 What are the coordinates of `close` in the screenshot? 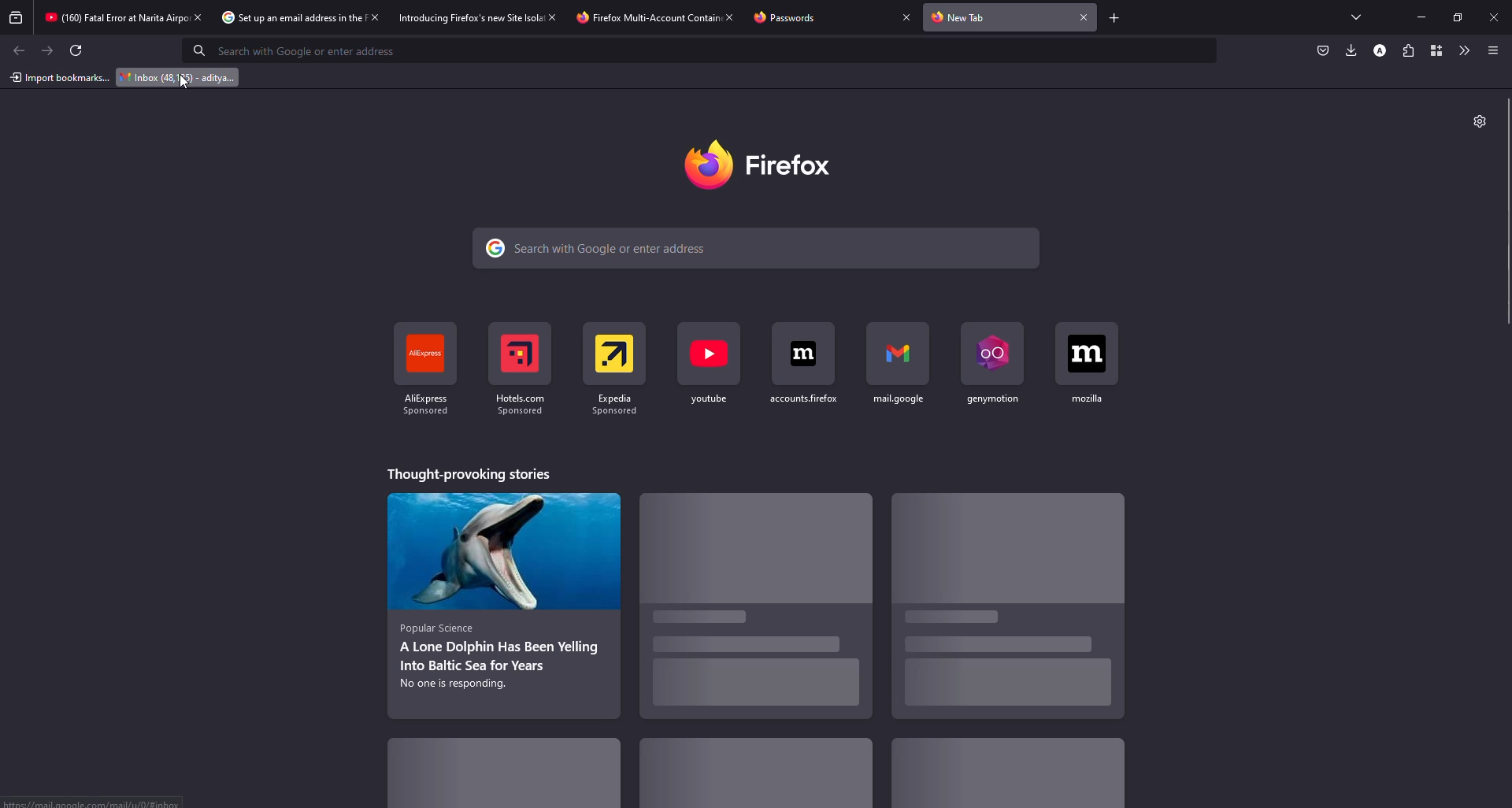 It's located at (903, 17).